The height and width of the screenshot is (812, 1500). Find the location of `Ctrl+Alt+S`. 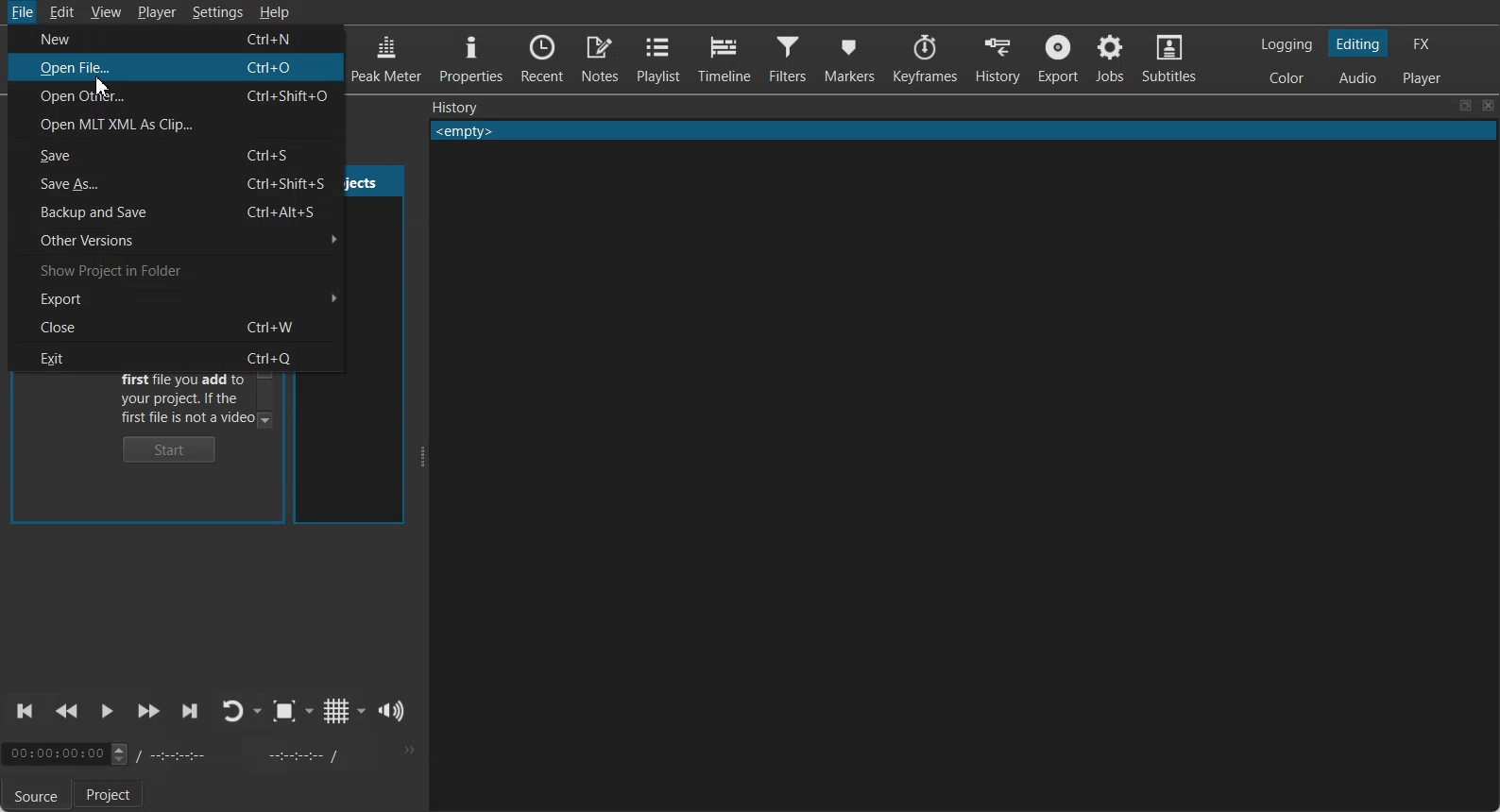

Ctrl+Alt+S is located at coordinates (285, 211).